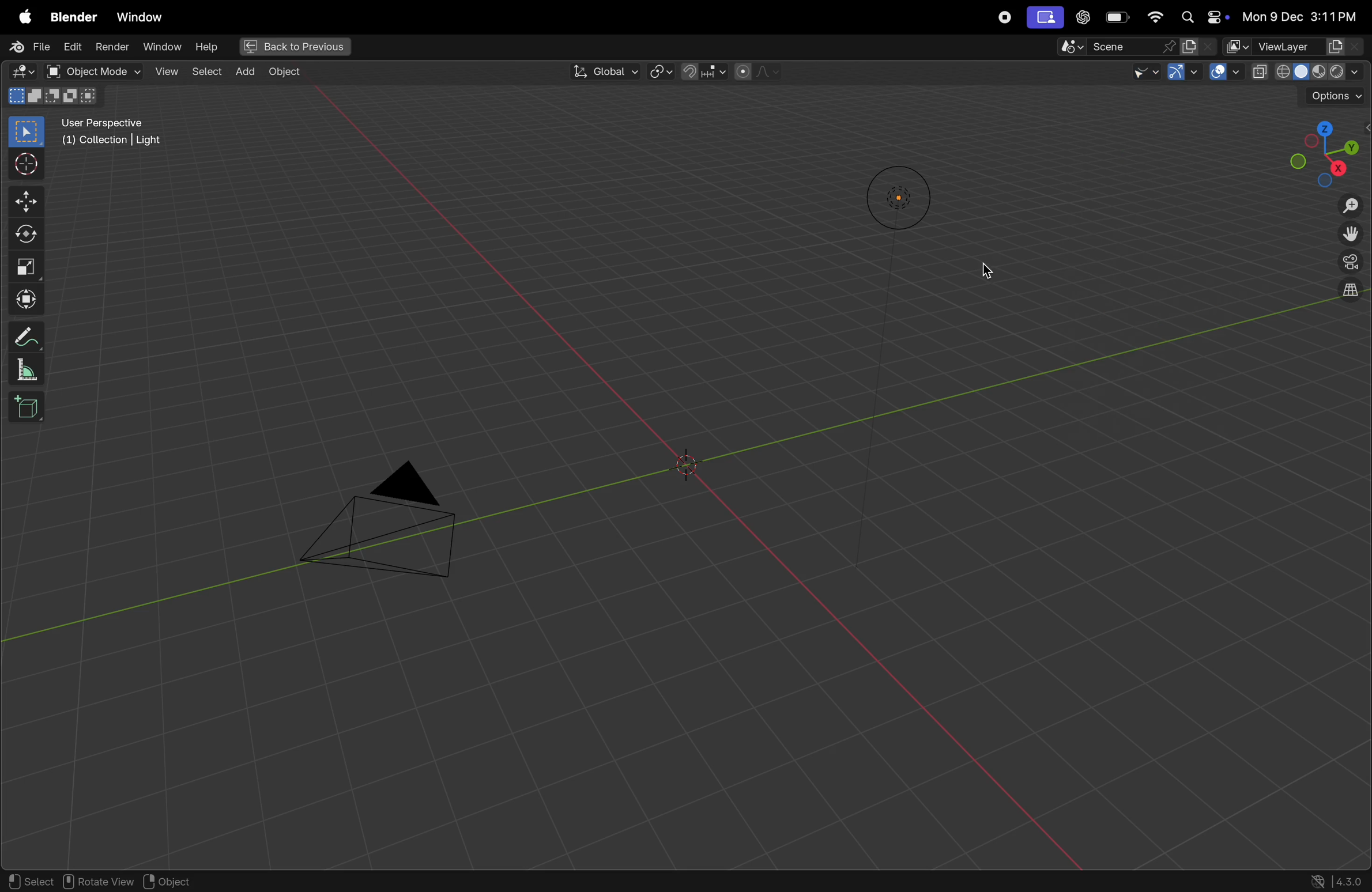 The width and height of the screenshot is (1372, 892). I want to click on mode, so click(54, 96).